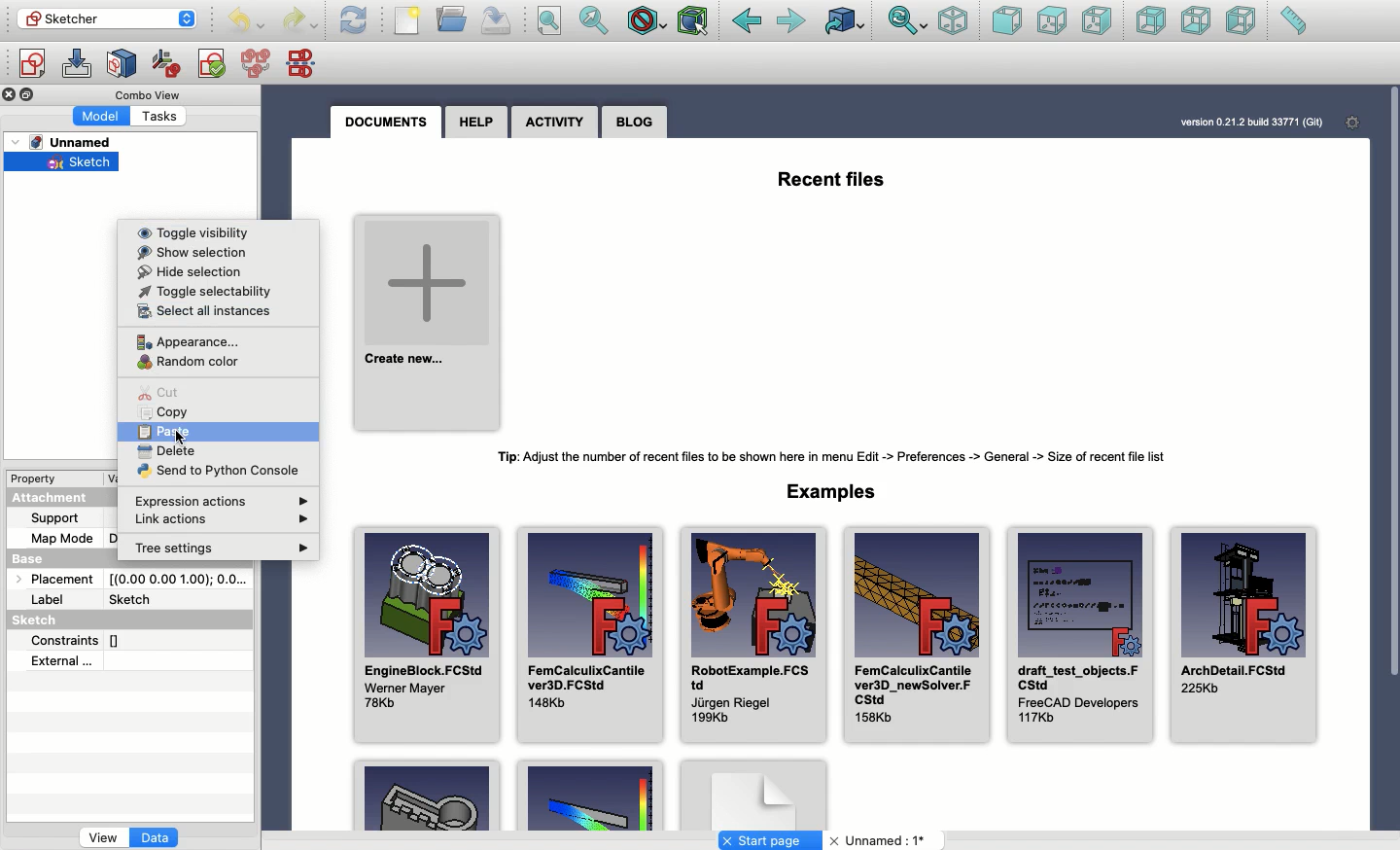 Image resolution: width=1400 pixels, height=850 pixels. Describe the element at coordinates (191, 26) in the screenshot. I see `Down arrow` at that location.